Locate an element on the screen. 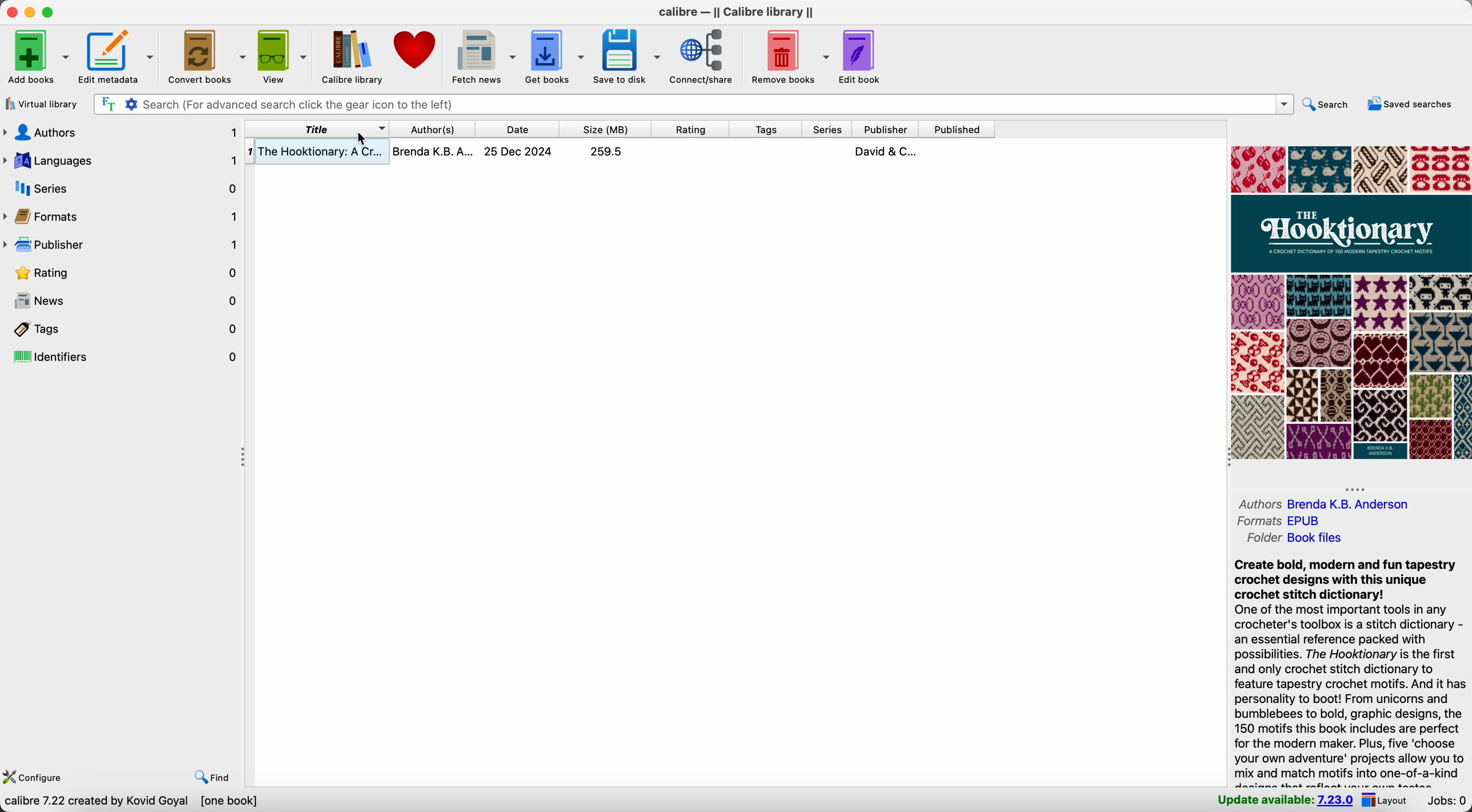 This screenshot has height=812, width=1472. donate is located at coordinates (418, 51).